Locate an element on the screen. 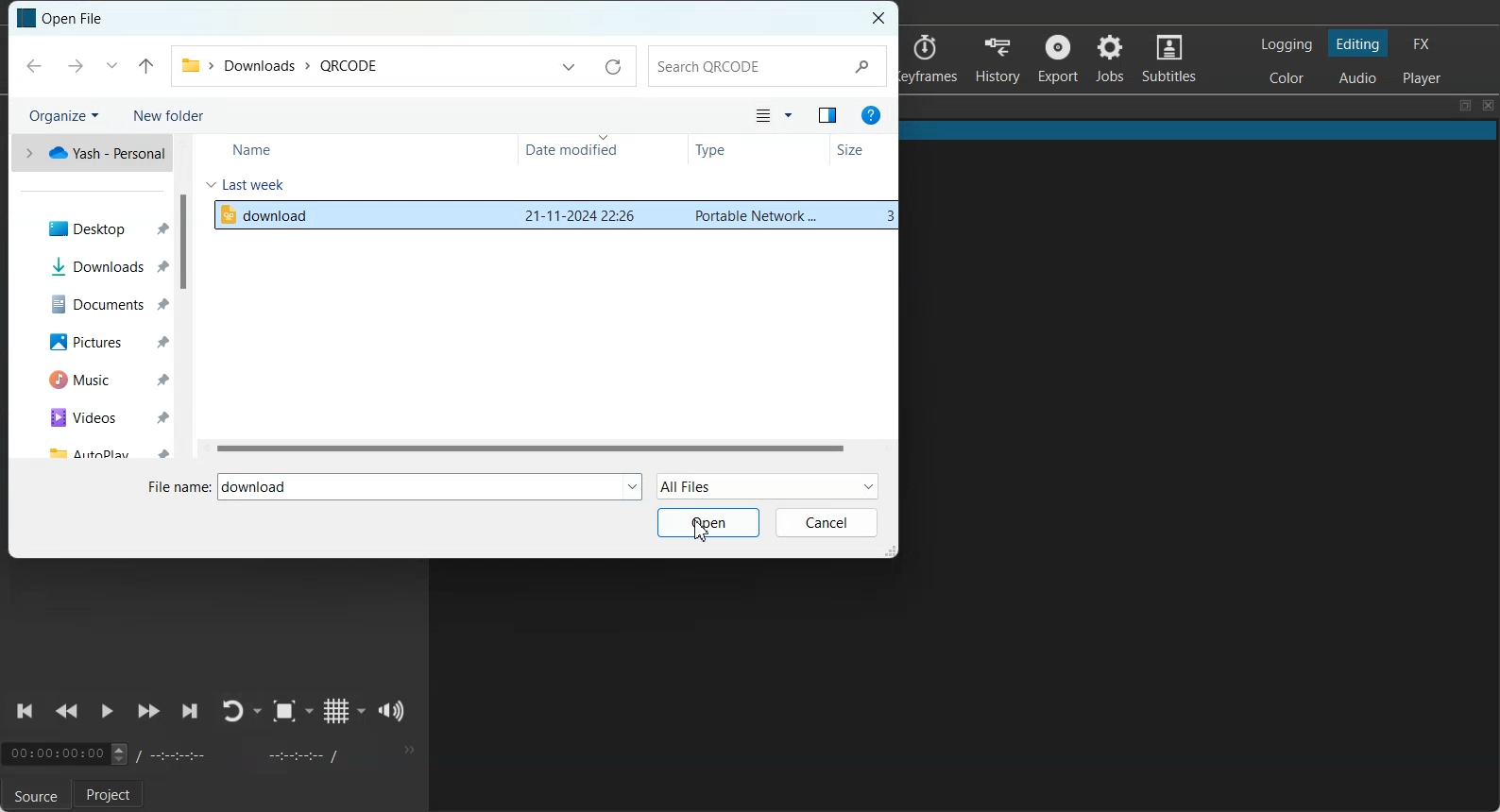 This screenshot has height=812, width=1500. Up to last file is located at coordinates (146, 65).